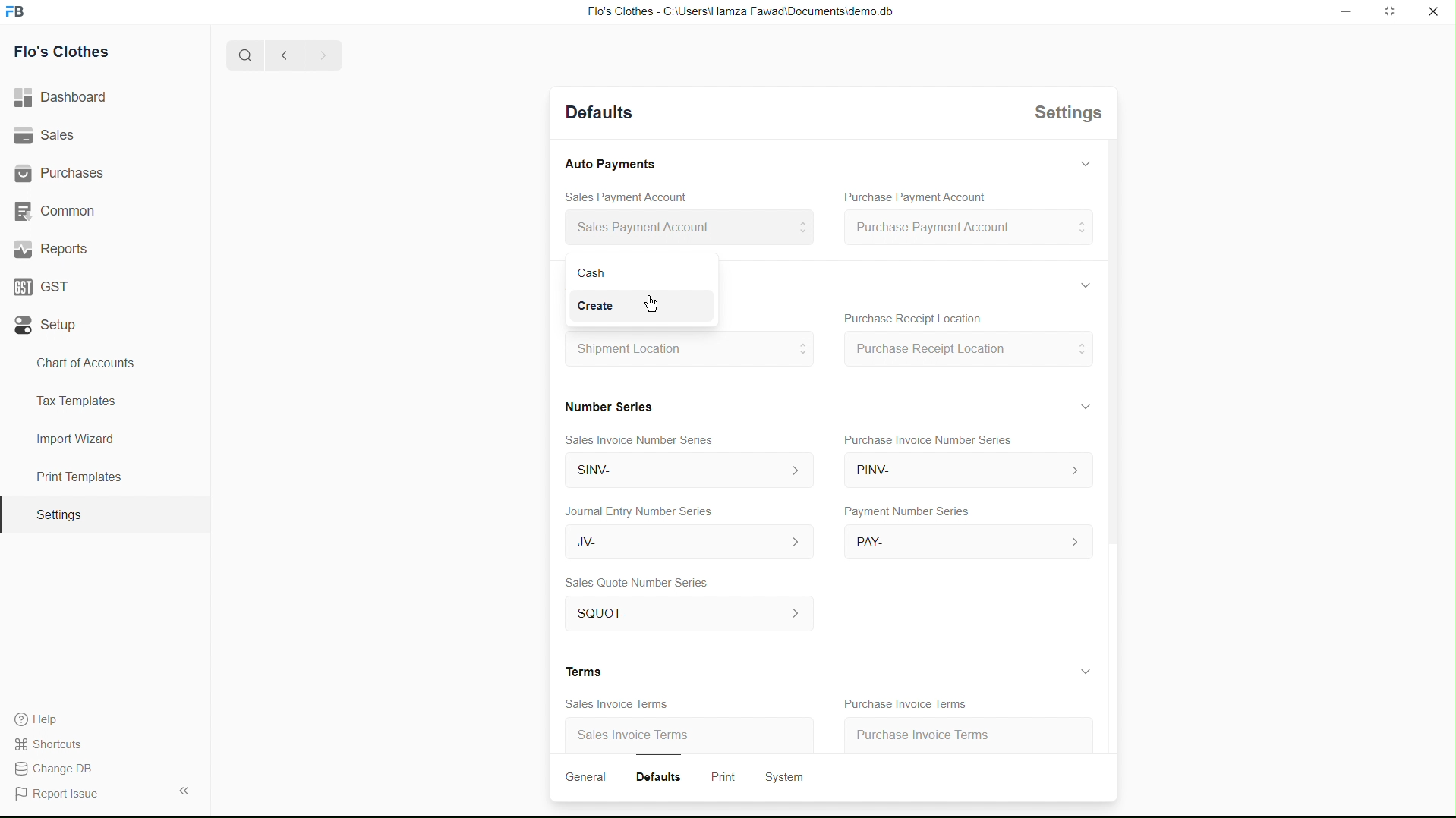 The width and height of the screenshot is (1456, 818). I want to click on Sales, so click(48, 136).